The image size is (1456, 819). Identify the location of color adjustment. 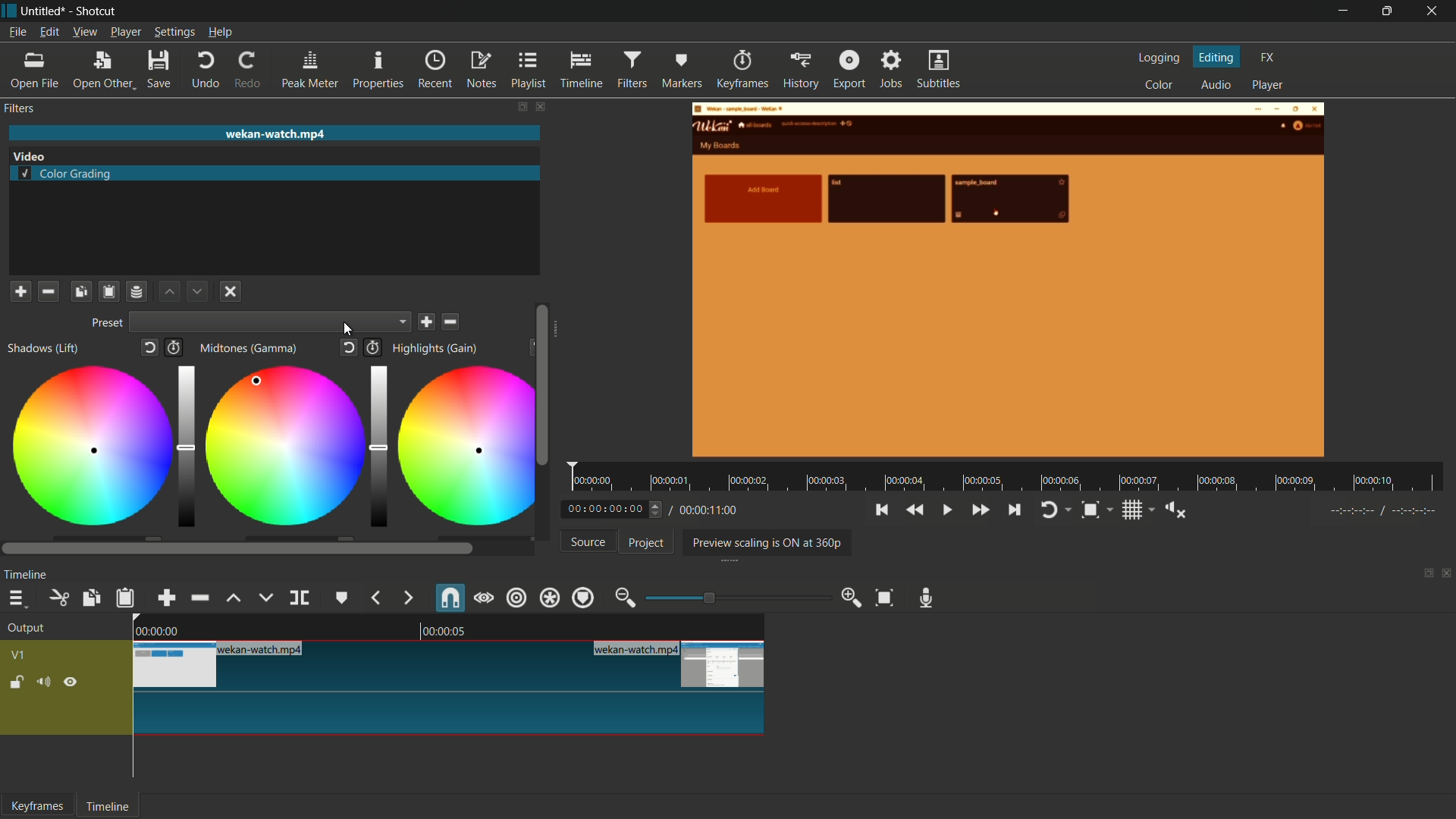
(89, 448).